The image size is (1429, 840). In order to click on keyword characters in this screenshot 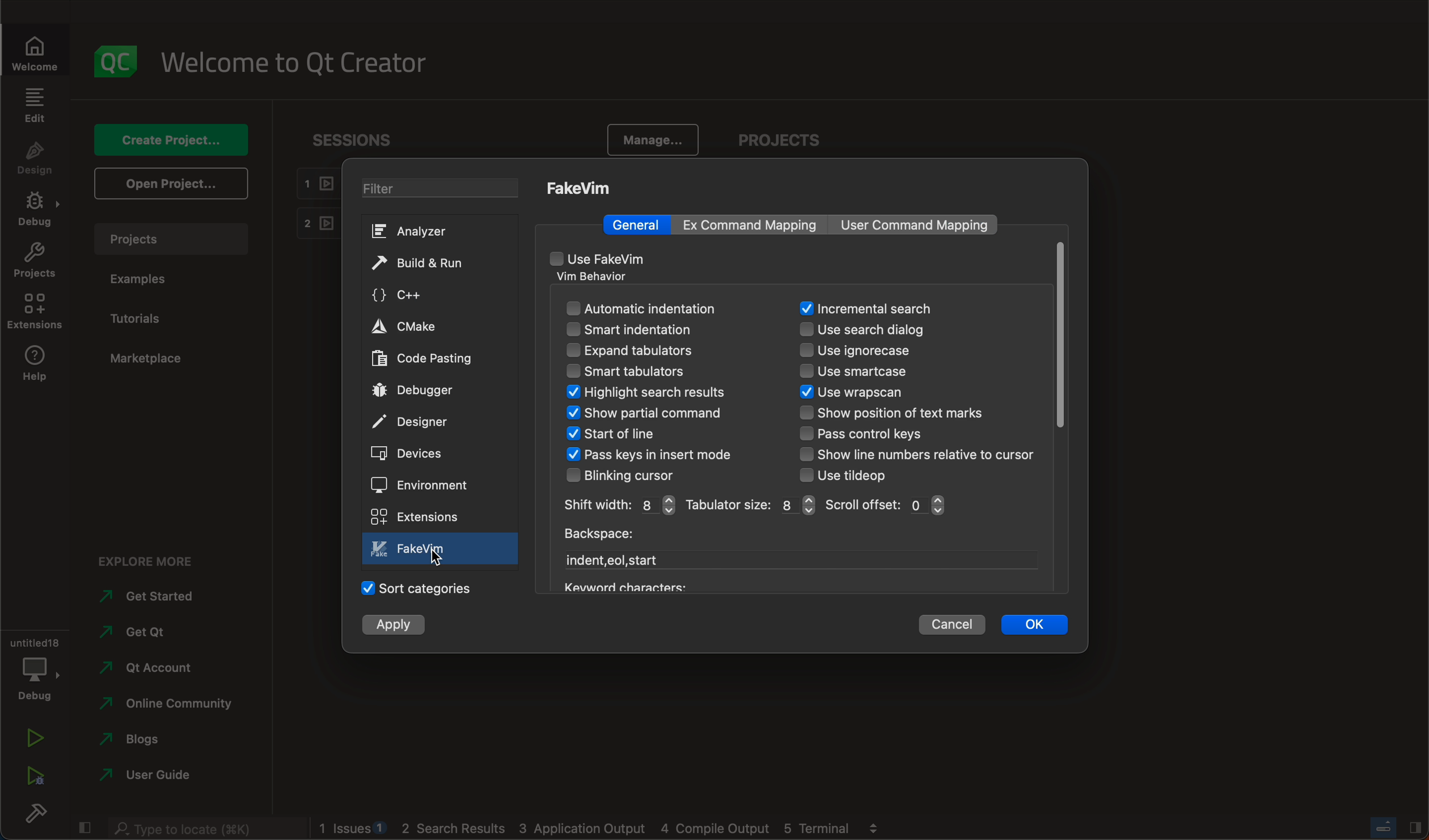, I will do `click(622, 585)`.